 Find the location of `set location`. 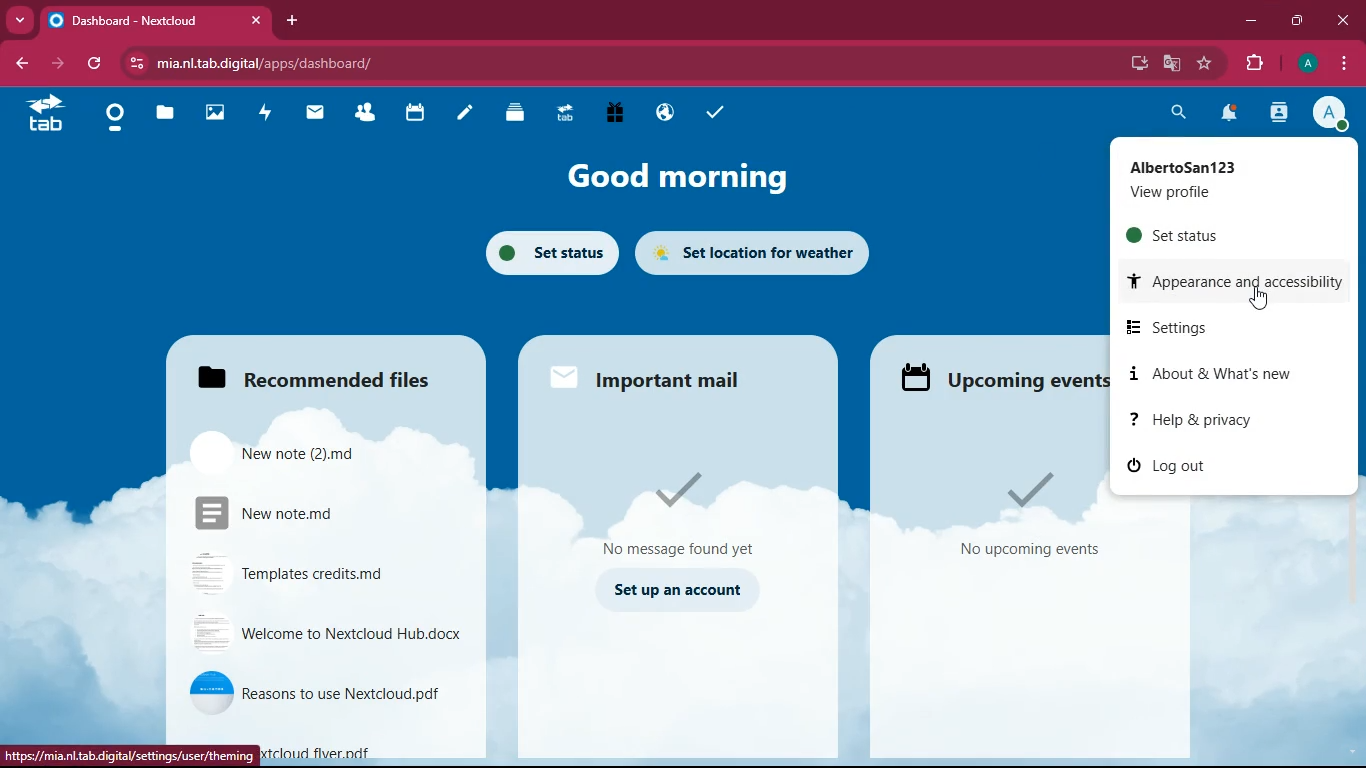

set location is located at coordinates (756, 255).